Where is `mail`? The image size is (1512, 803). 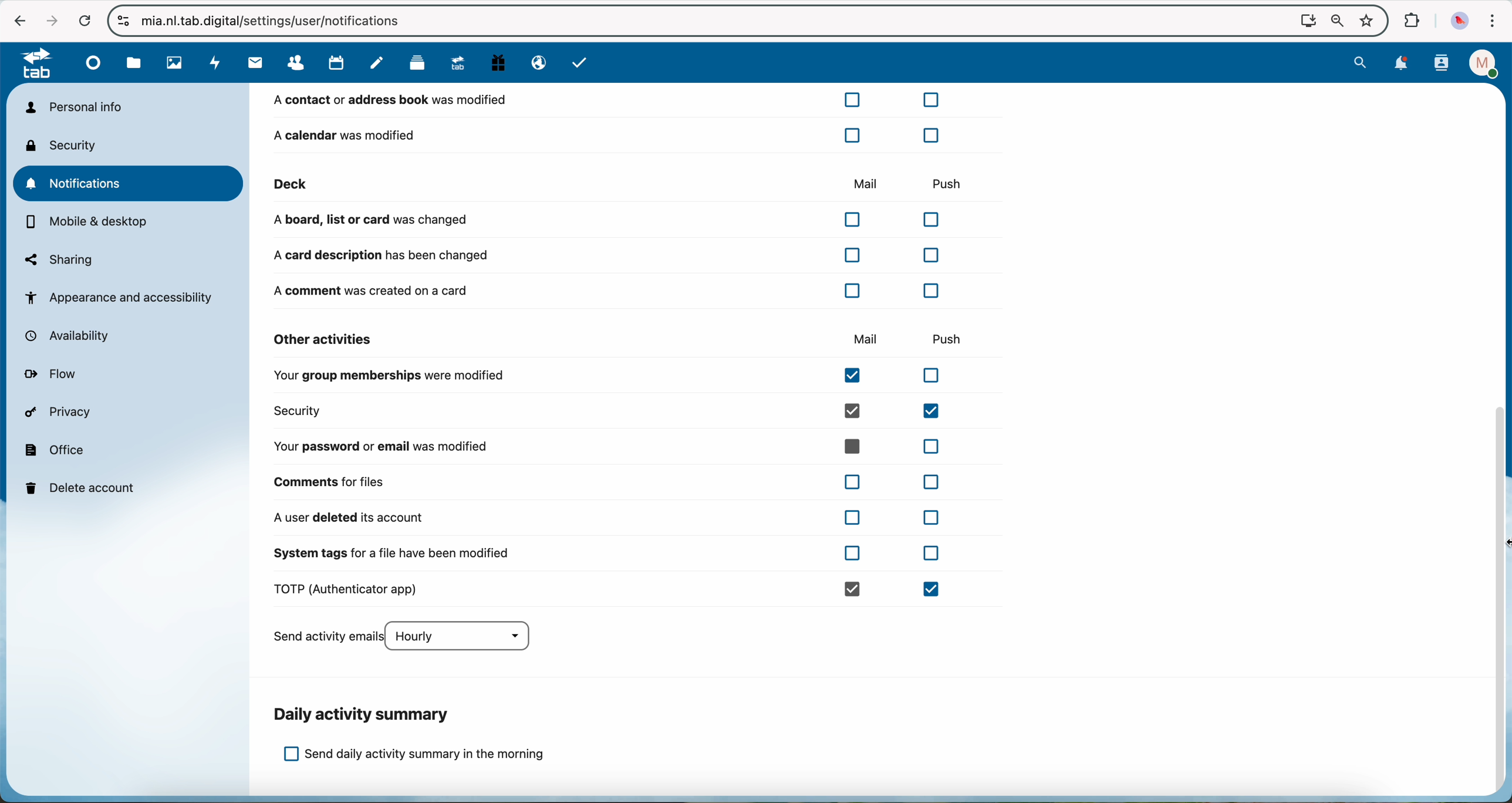
mail is located at coordinates (863, 182).